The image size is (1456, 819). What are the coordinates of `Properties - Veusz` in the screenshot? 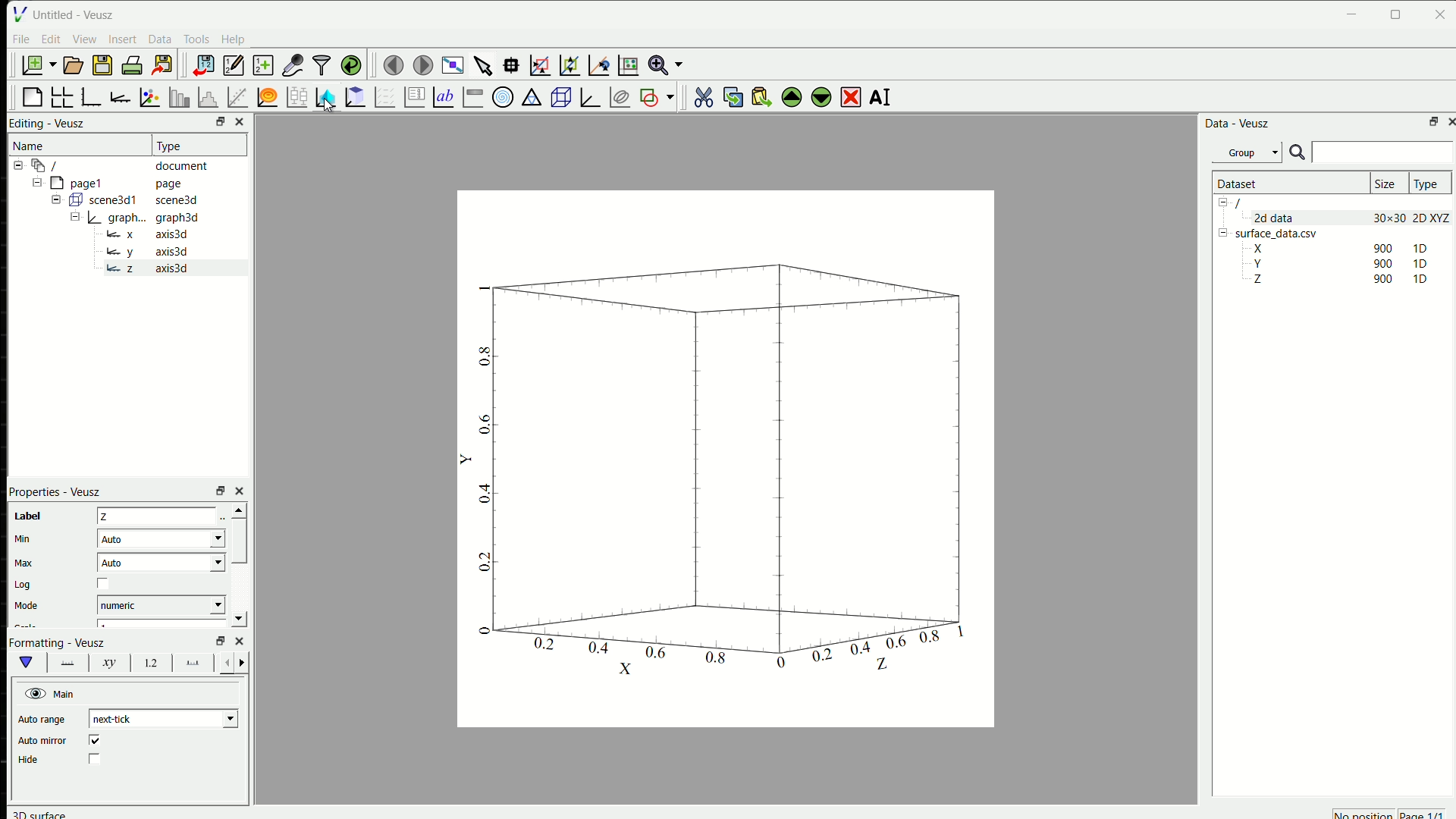 It's located at (57, 493).